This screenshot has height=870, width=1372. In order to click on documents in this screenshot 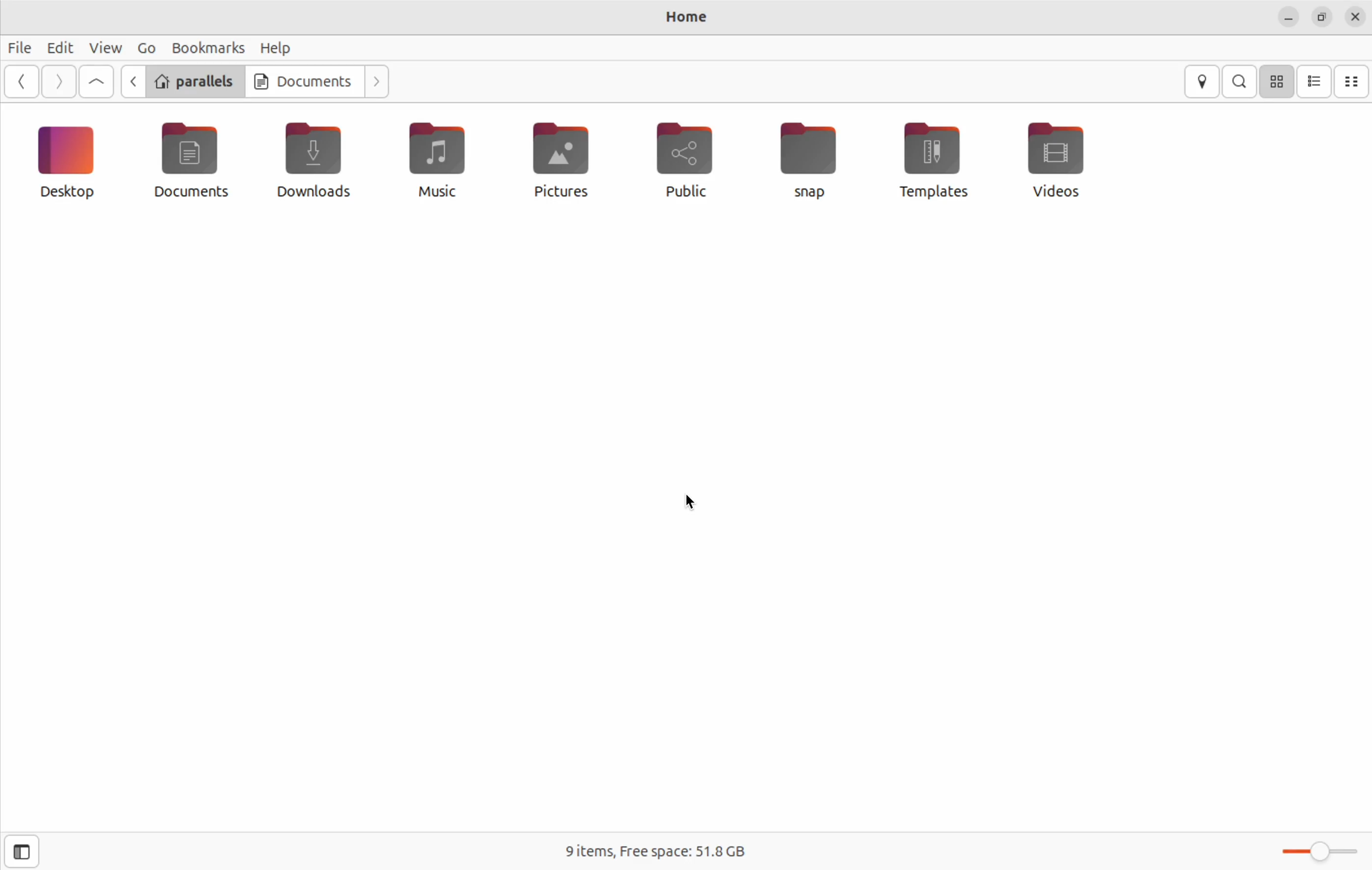, I will do `click(198, 163)`.